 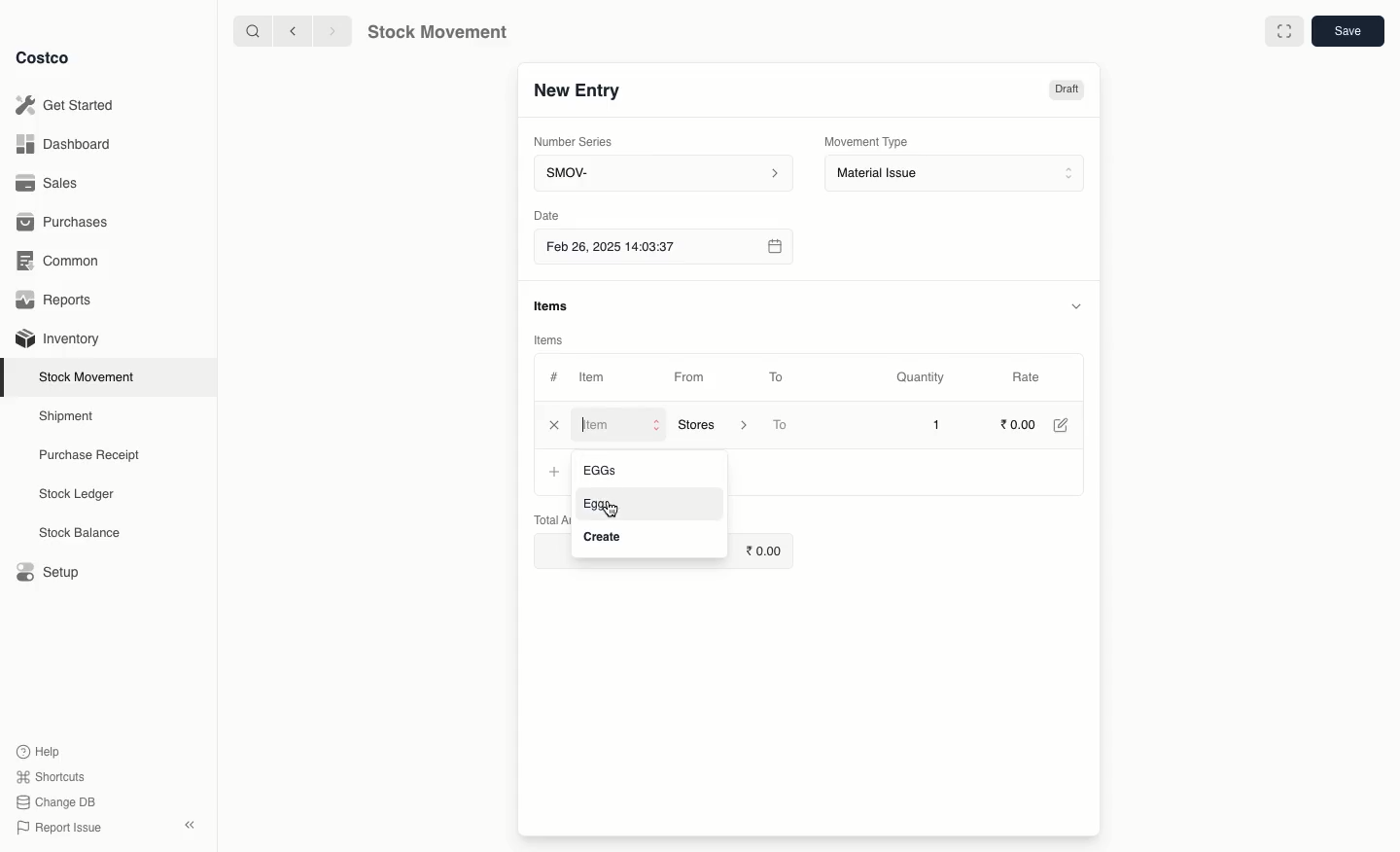 What do you see at coordinates (696, 380) in the screenshot?
I see `From` at bounding box center [696, 380].